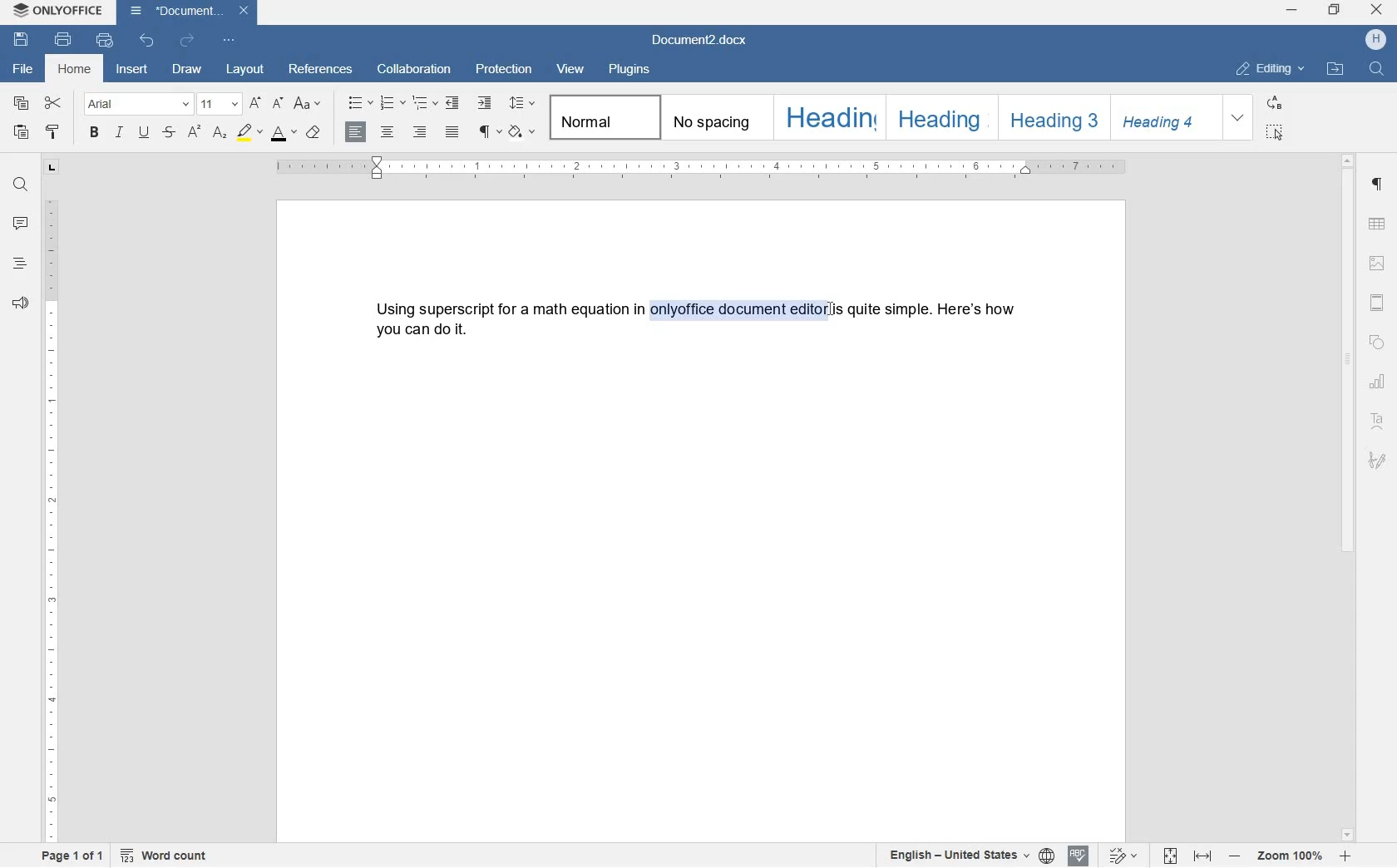 This screenshot has width=1397, height=868. I want to click on find, so click(20, 181).